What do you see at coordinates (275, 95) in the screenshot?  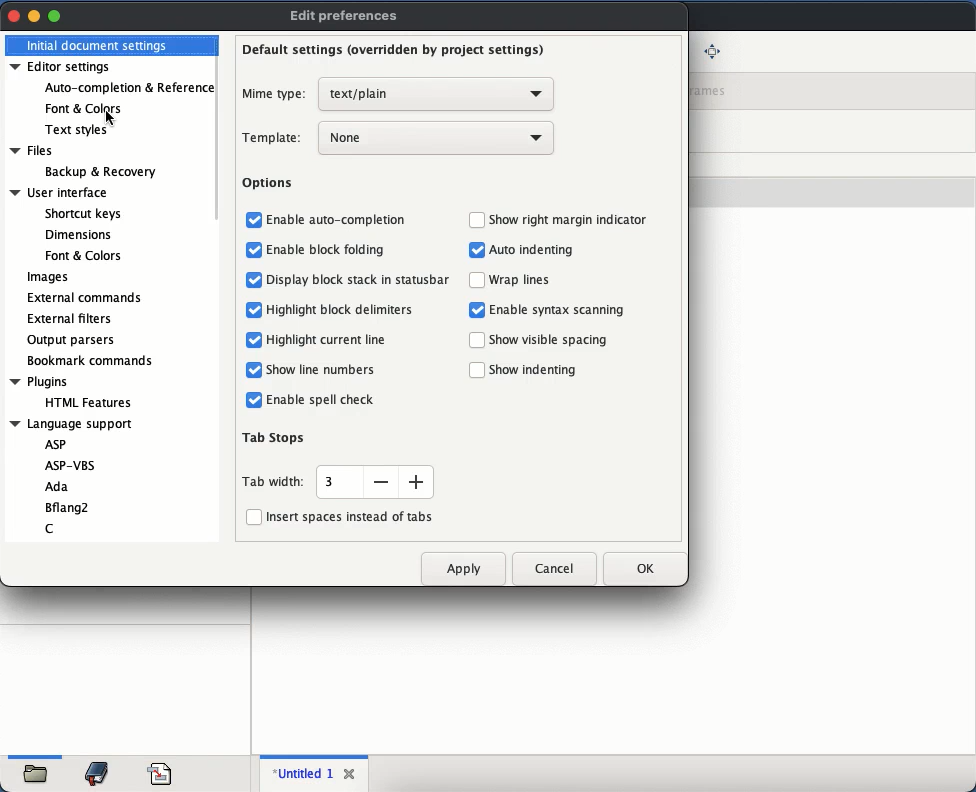 I see `mime type` at bounding box center [275, 95].